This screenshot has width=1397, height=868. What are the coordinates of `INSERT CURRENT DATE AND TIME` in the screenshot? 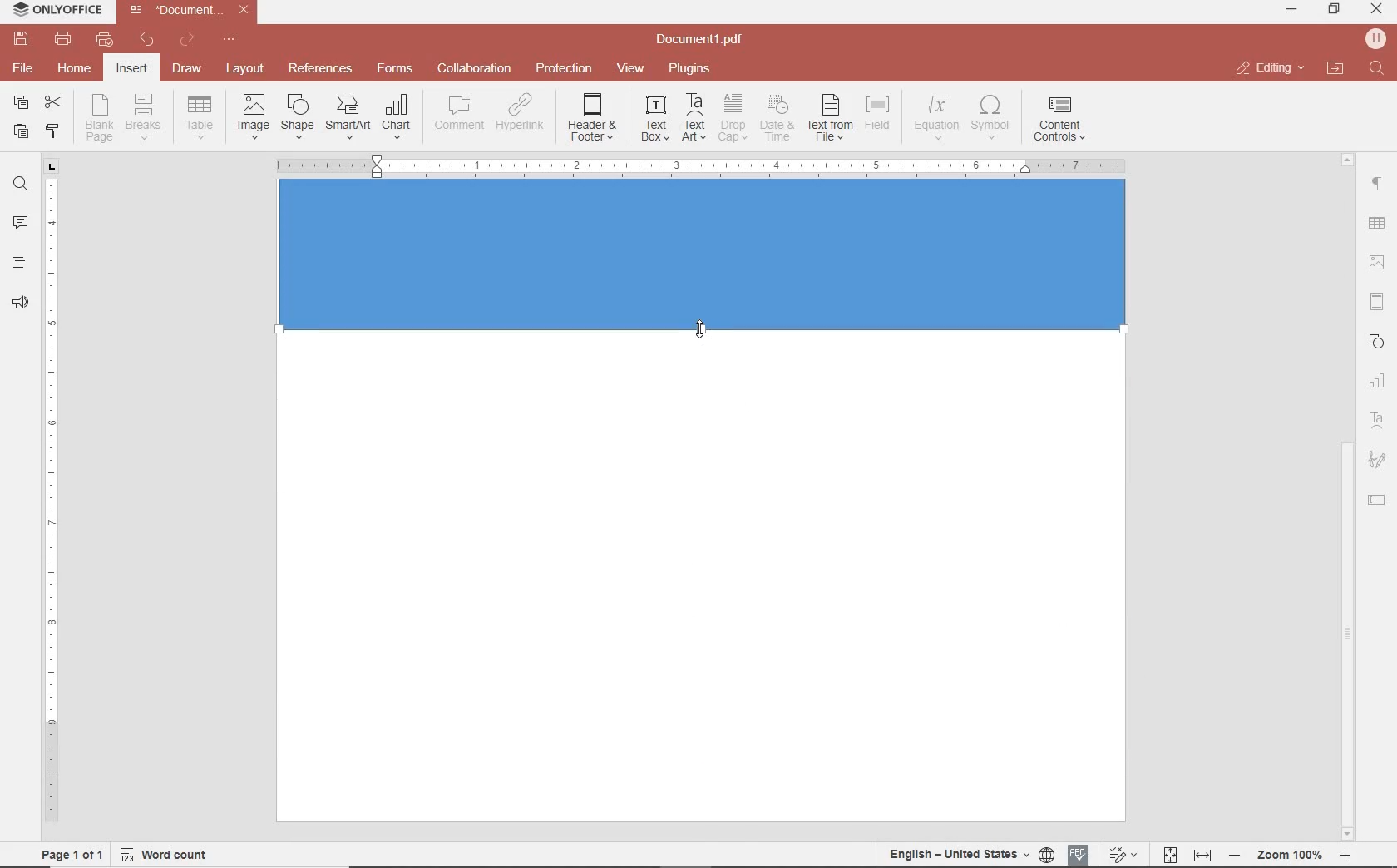 It's located at (775, 119).